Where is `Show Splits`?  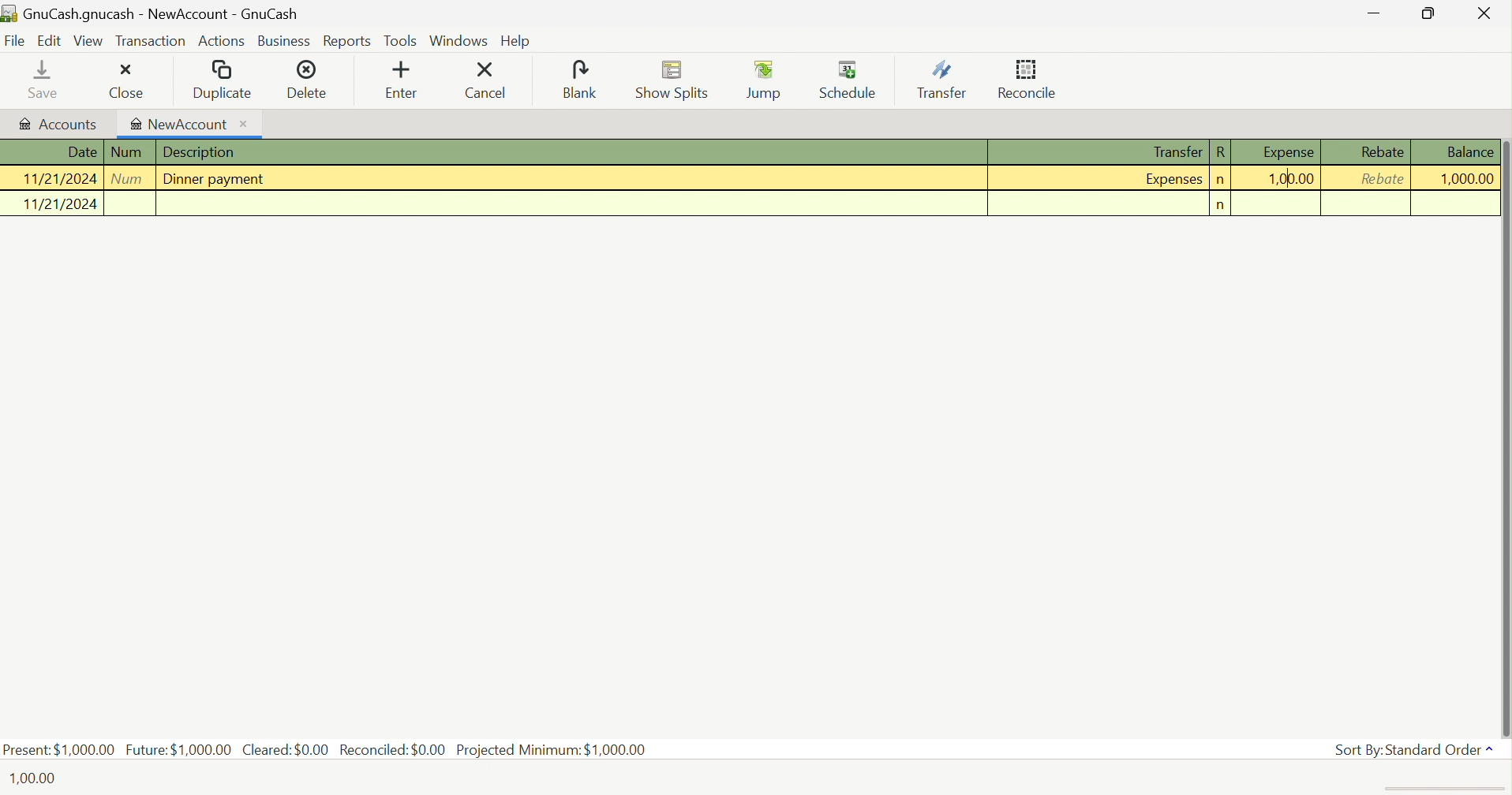
Show Splits is located at coordinates (673, 80).